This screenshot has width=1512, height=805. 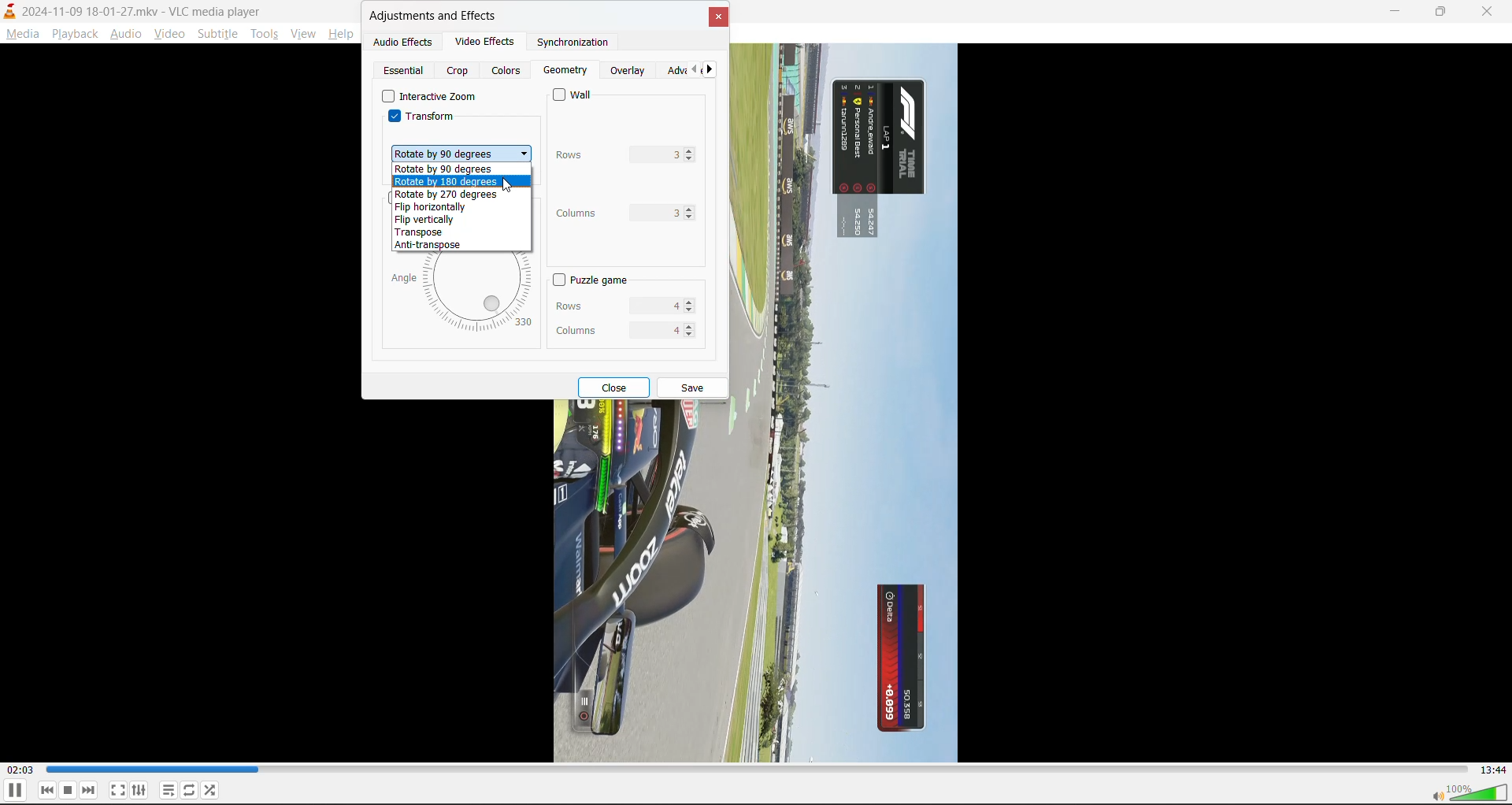 I want to click on transform, so click(x=422, y=120).